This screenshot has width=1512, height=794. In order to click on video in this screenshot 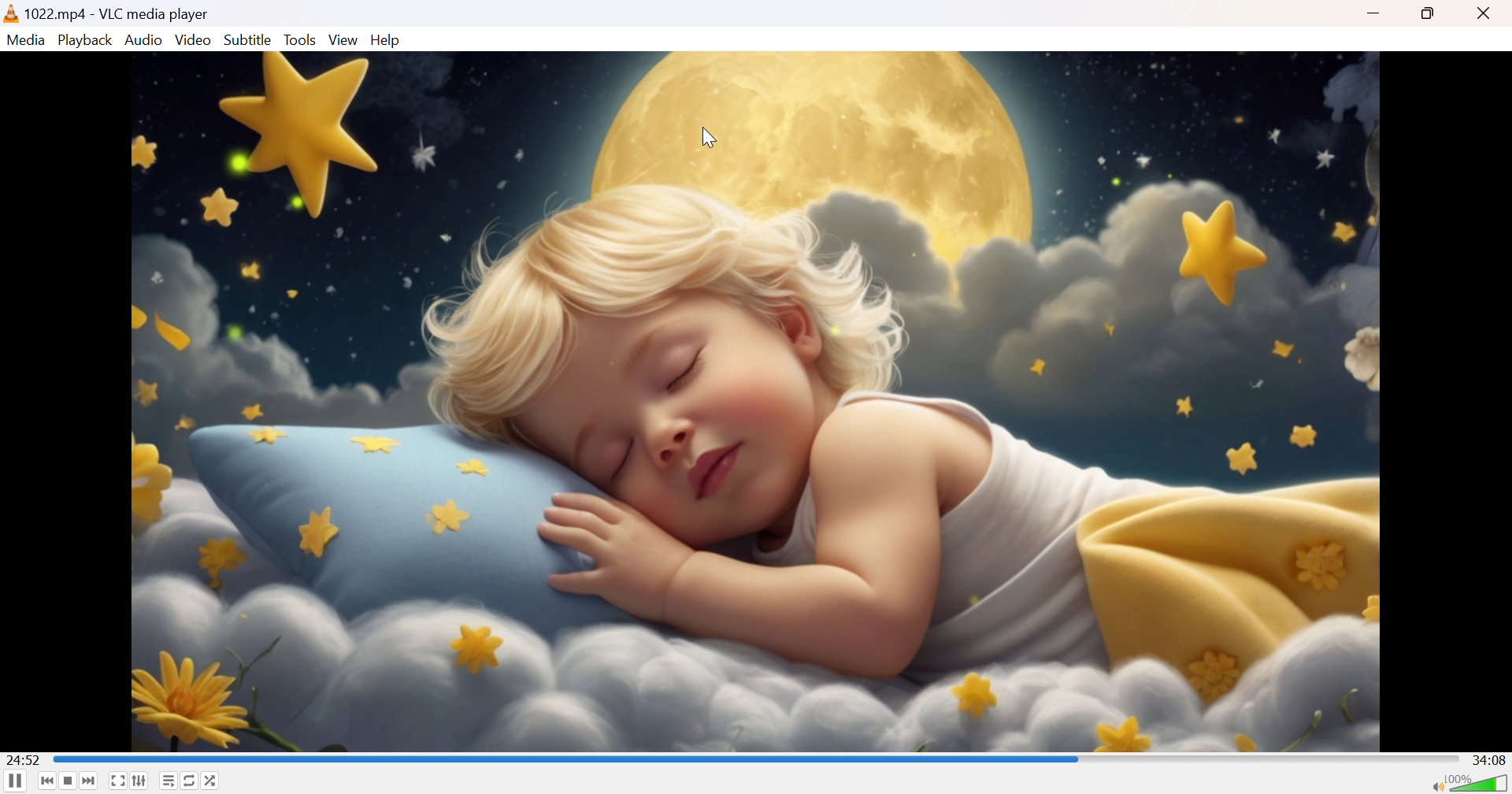, I will do `click(754, 402)`.